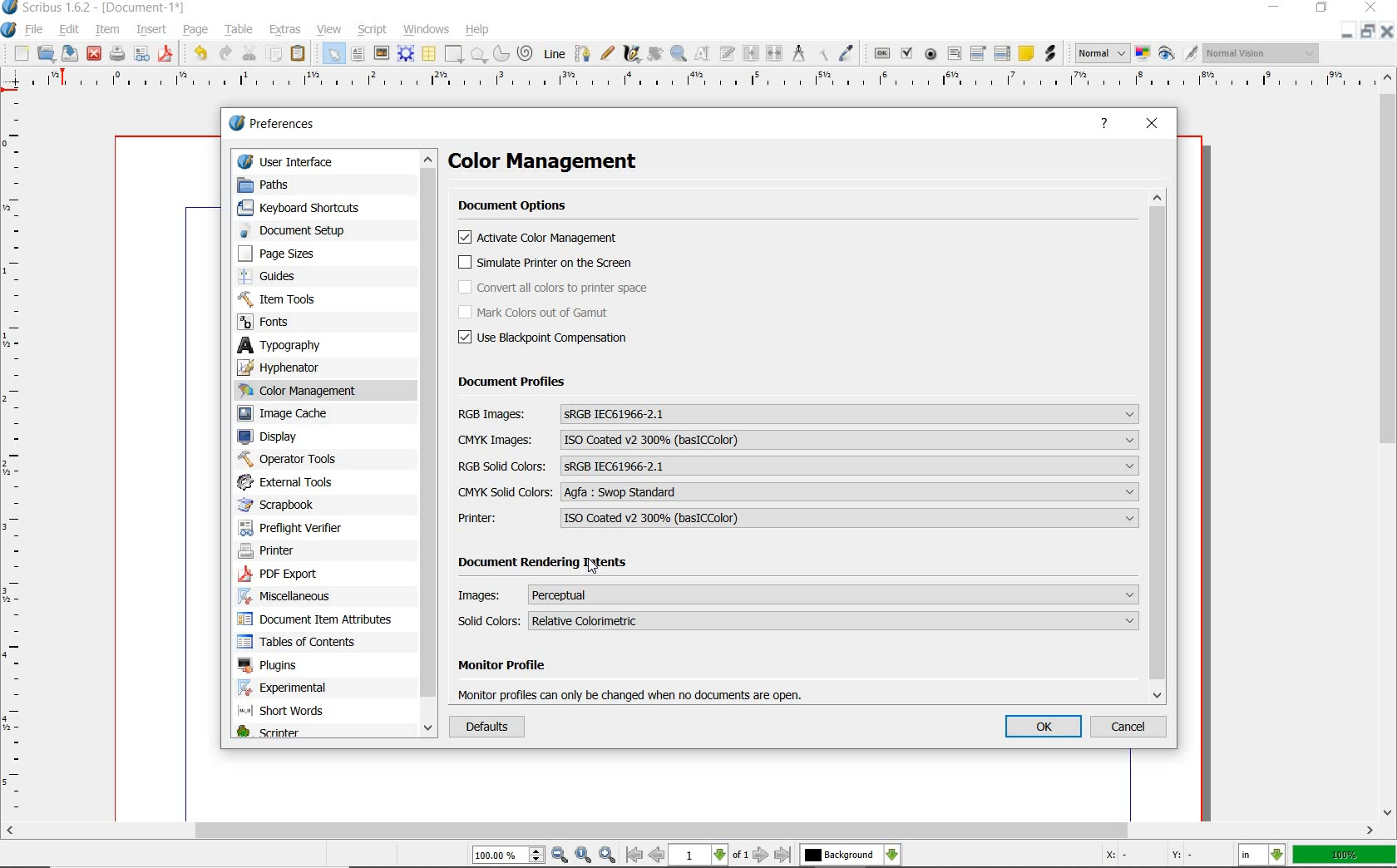 The width and height of the screenshot is (1397, 868). What do you see at coordinates (797, 414) in the screenshot?
I see `RGB Images` at bounding box center [797, 414].